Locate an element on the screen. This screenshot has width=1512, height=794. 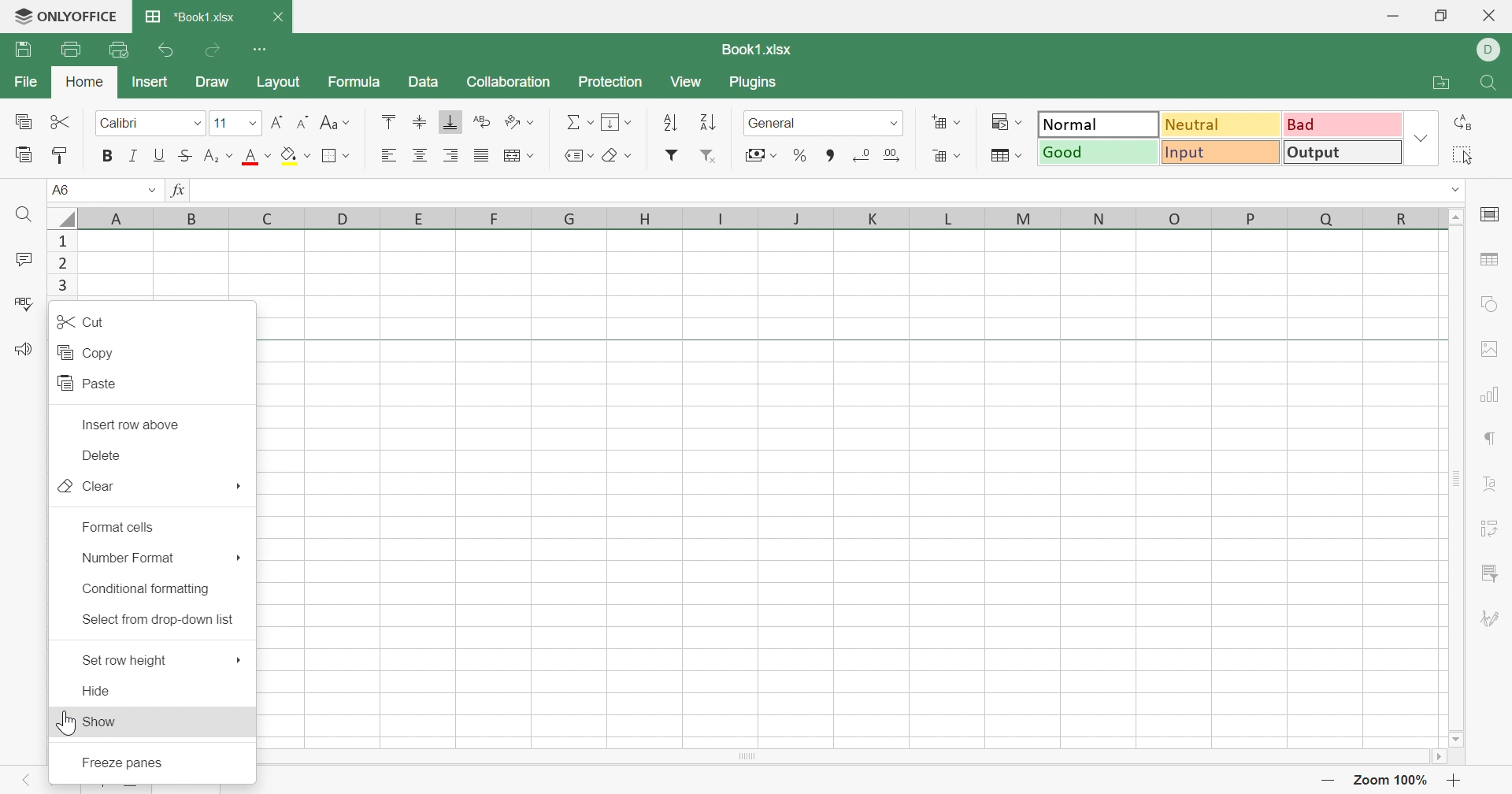
Insert row above is located at coordinates (129, 425).